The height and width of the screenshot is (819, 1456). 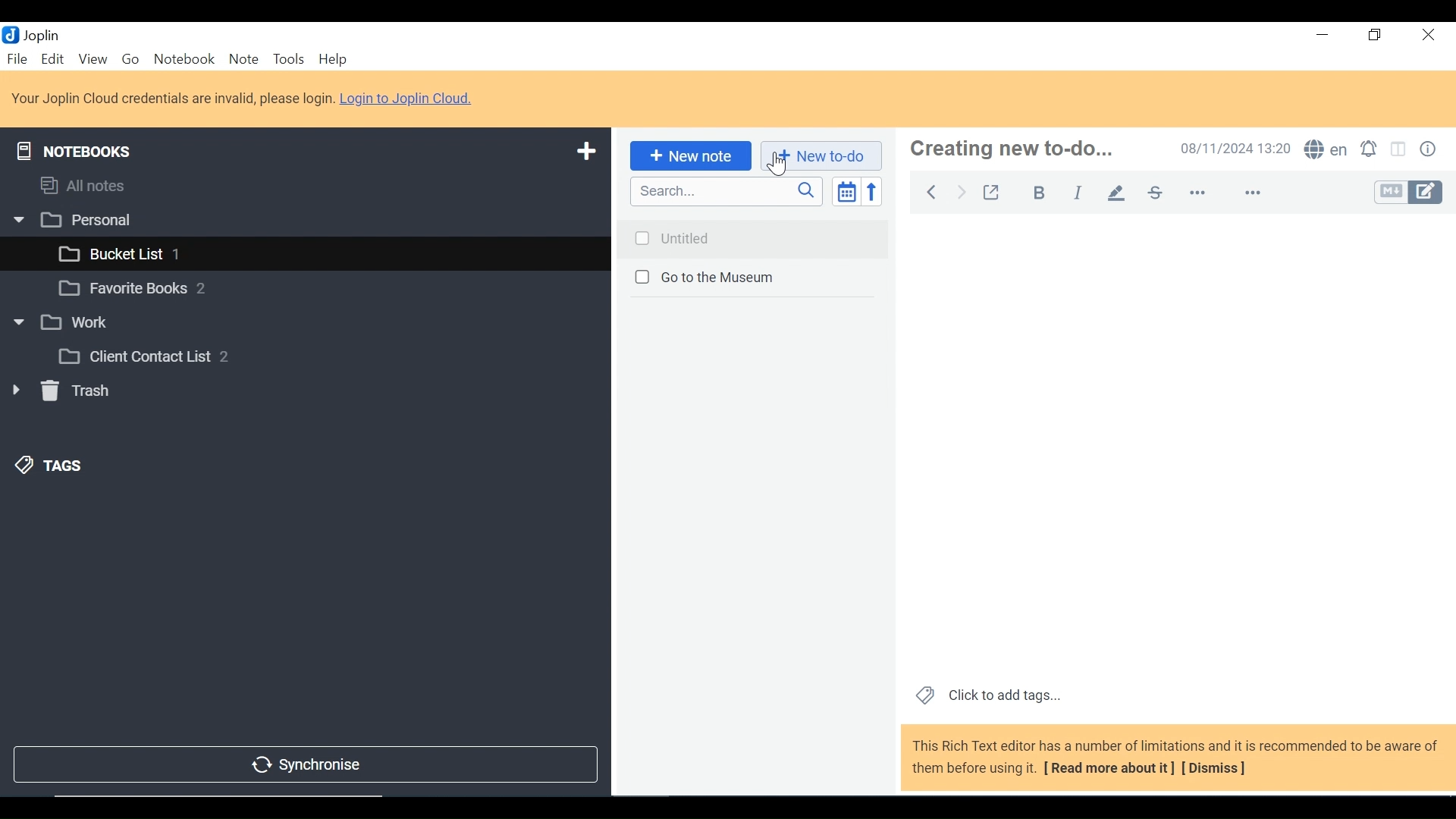 What do you see at coordinates (303, 218) in the screenshot?
I see `Notebook` at bounding box center [303, 218].